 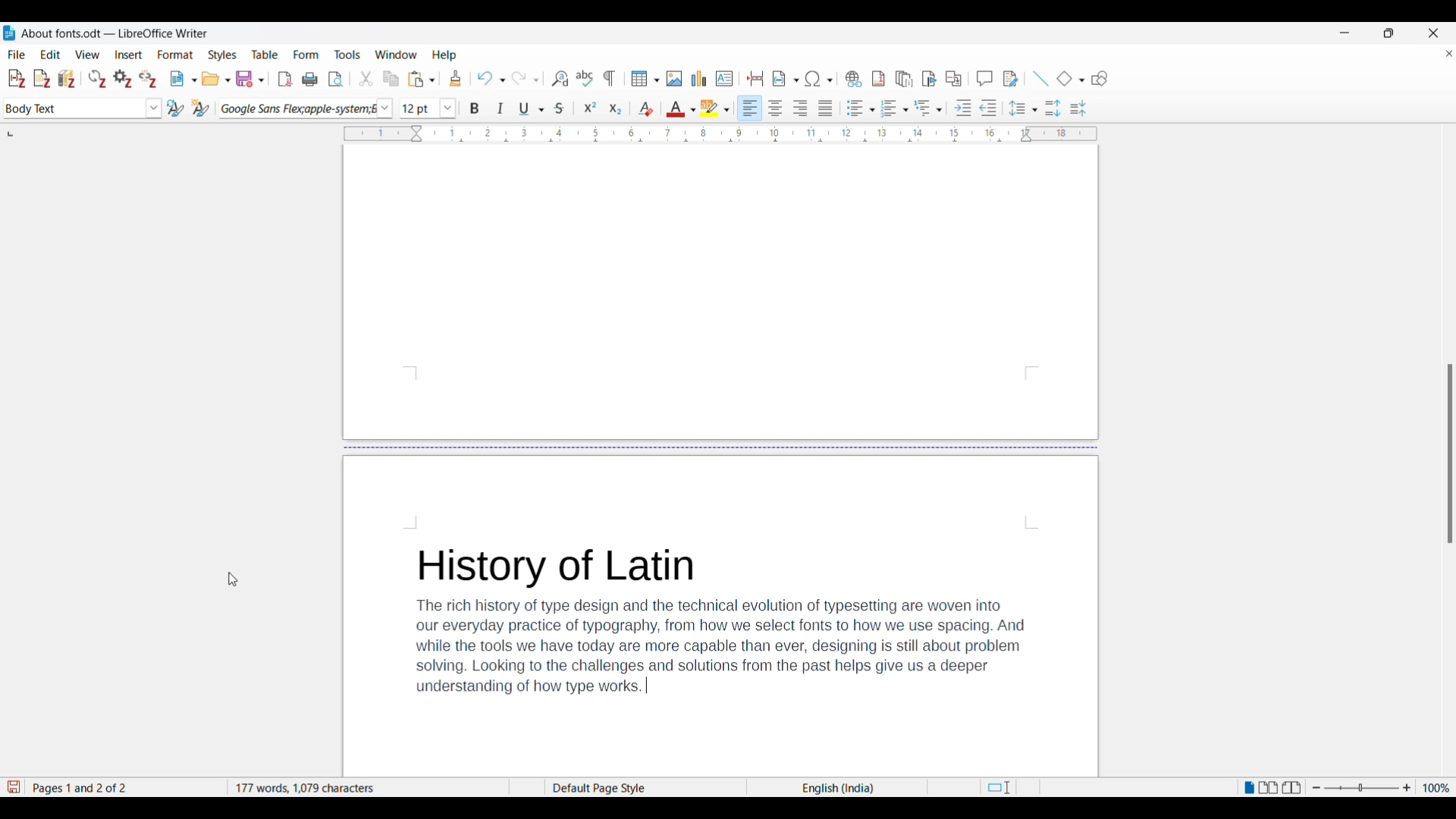 I want to click on Current basic shape and other basic shape options, so click(x=1070, y=78).